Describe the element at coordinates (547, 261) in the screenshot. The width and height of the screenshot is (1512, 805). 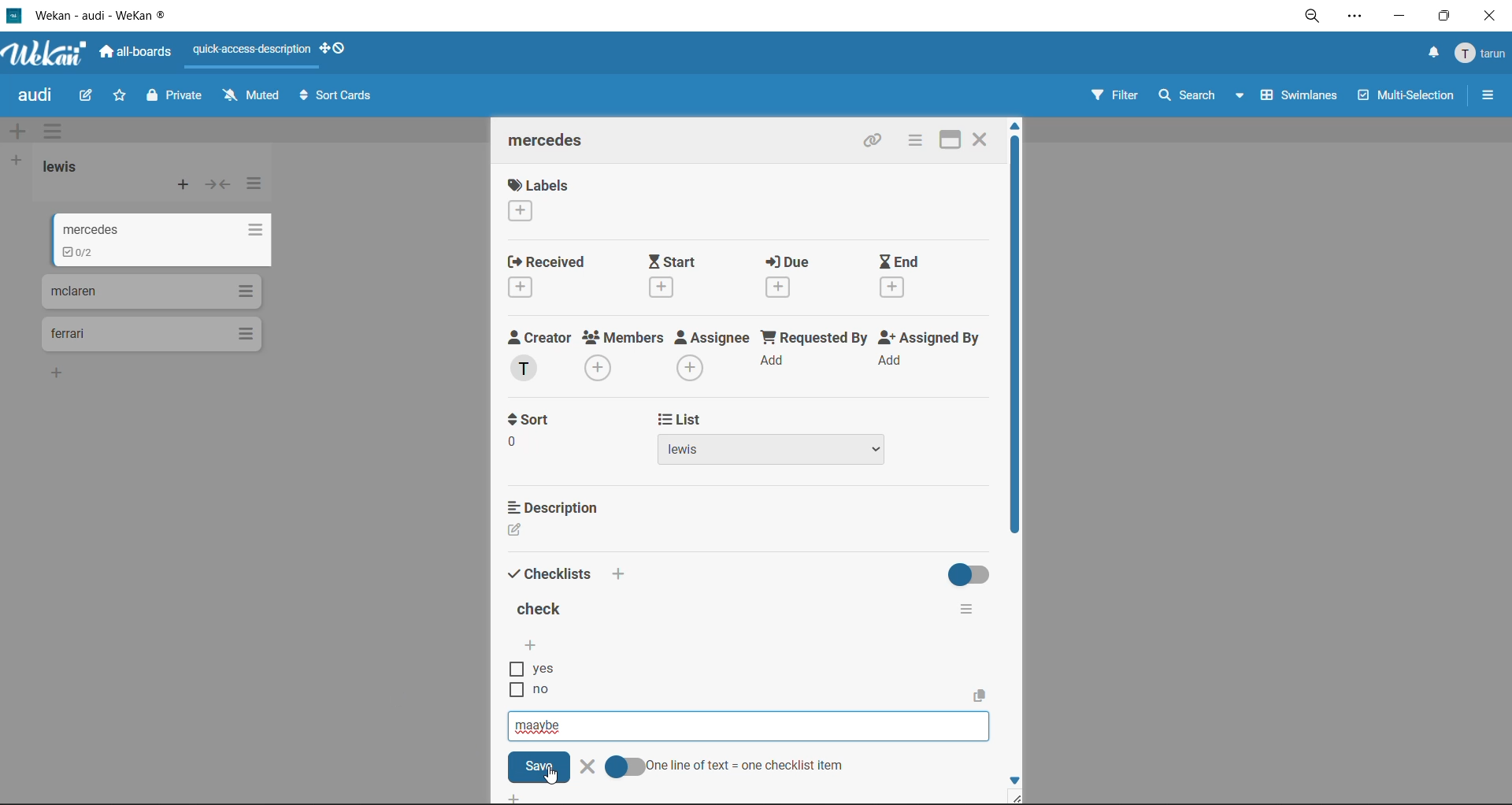
I see `recieved` at that location.